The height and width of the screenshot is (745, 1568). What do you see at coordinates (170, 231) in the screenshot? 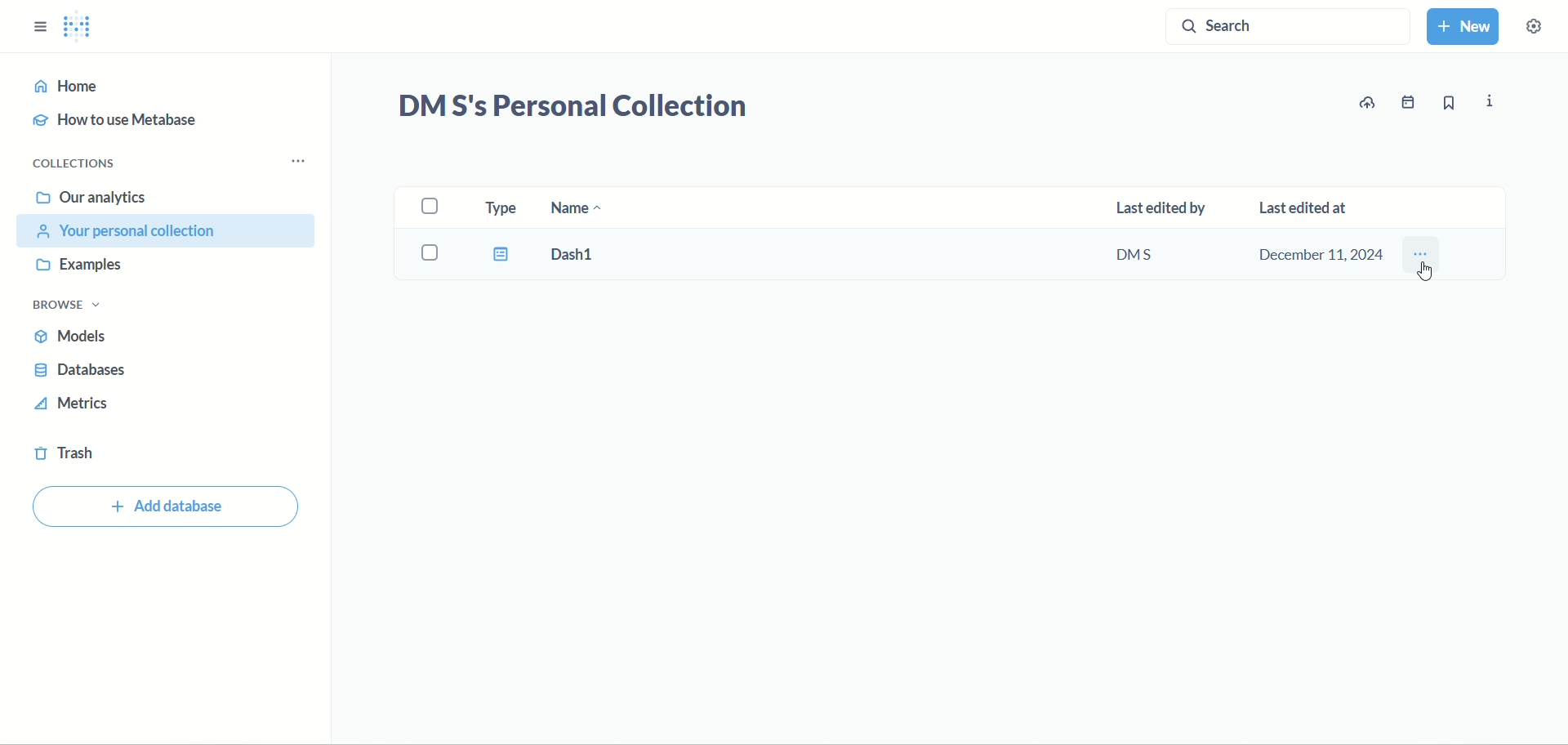
I see `your personal collection` at bounding box center [170, 231].